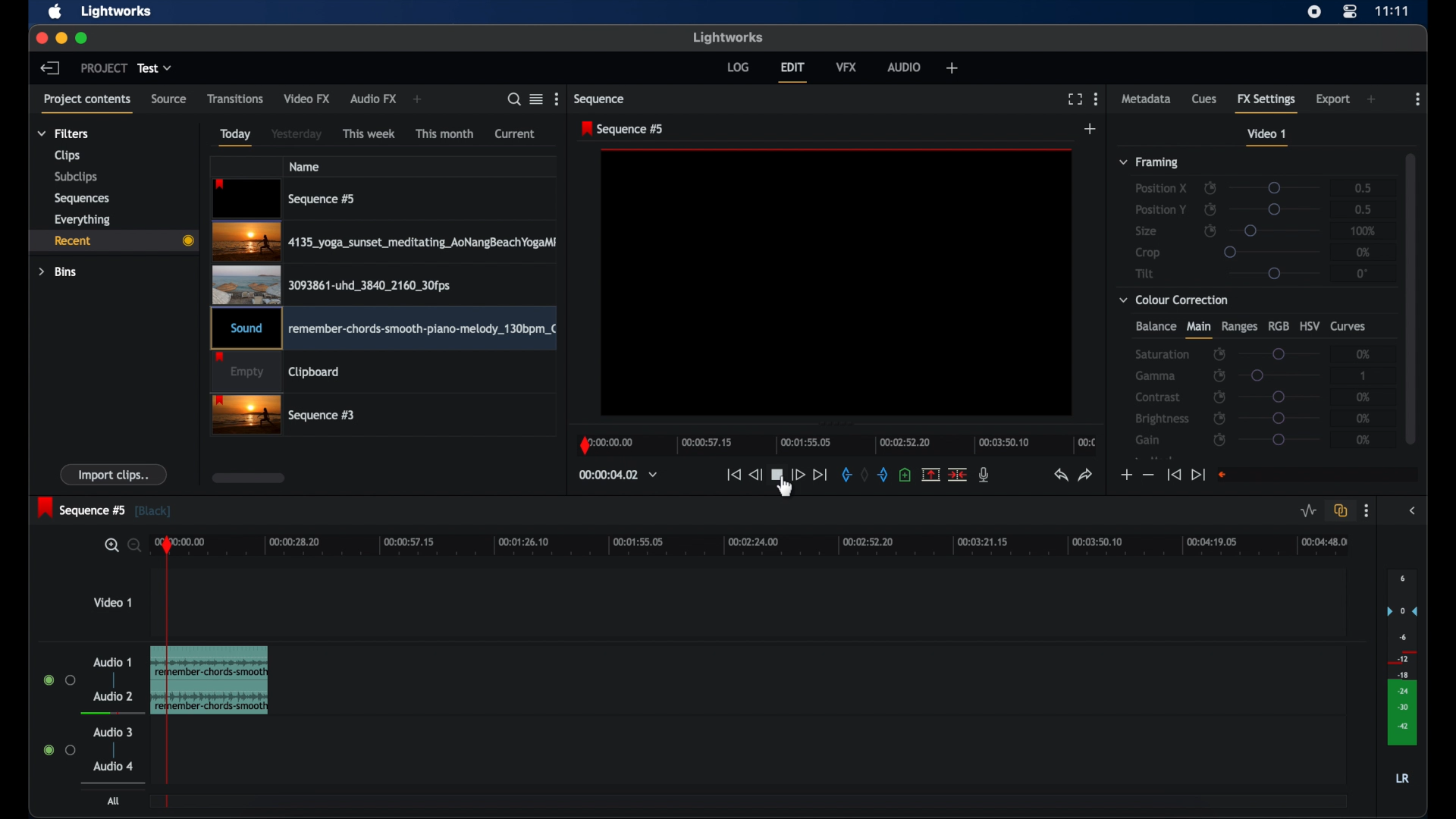  What do you see at coordinates (1309, 511) in the screenshot?
I see `toggle audio levels editing` at bounding box center [1309, 511].